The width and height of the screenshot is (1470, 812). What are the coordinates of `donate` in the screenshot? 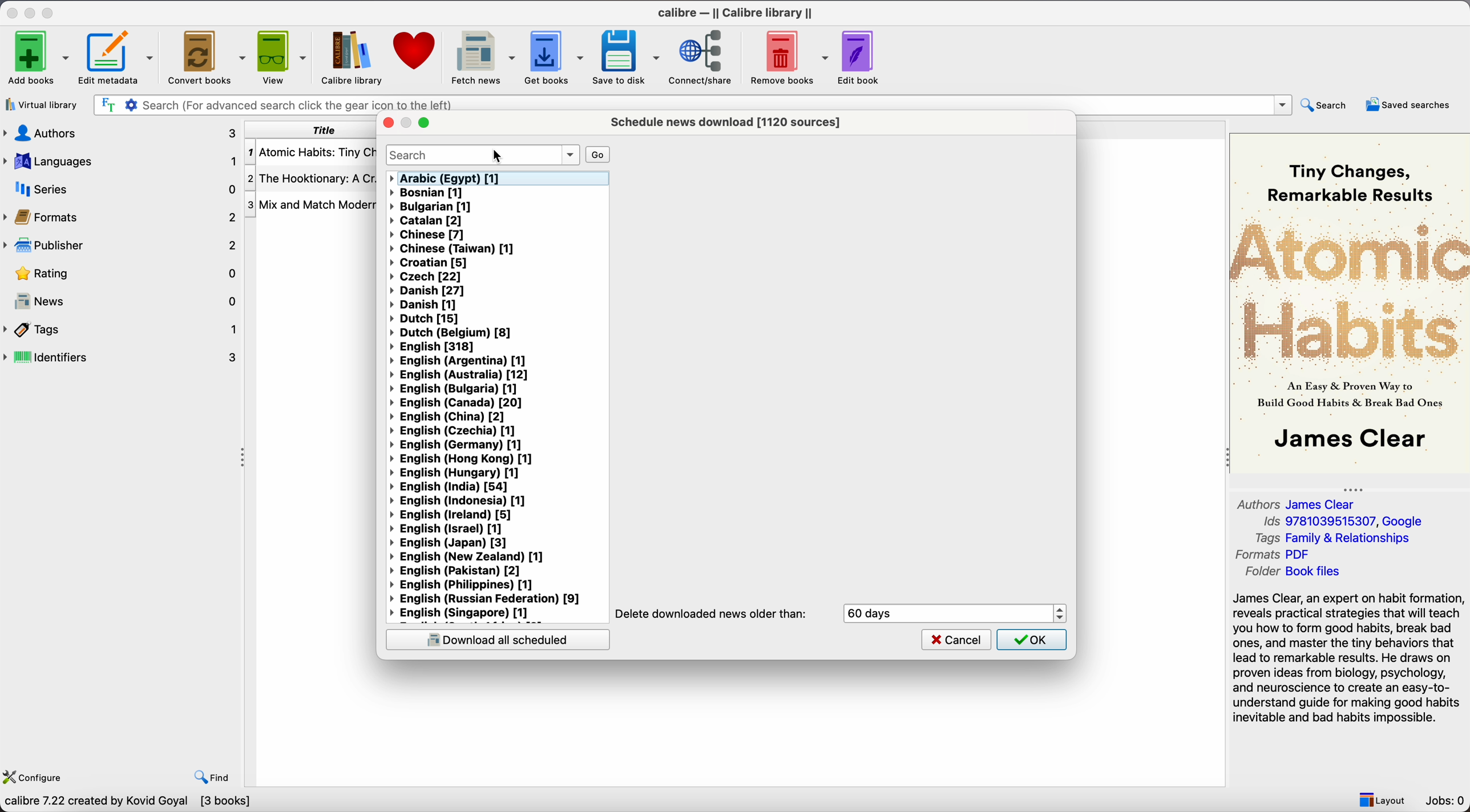 It's located at (413, 55).